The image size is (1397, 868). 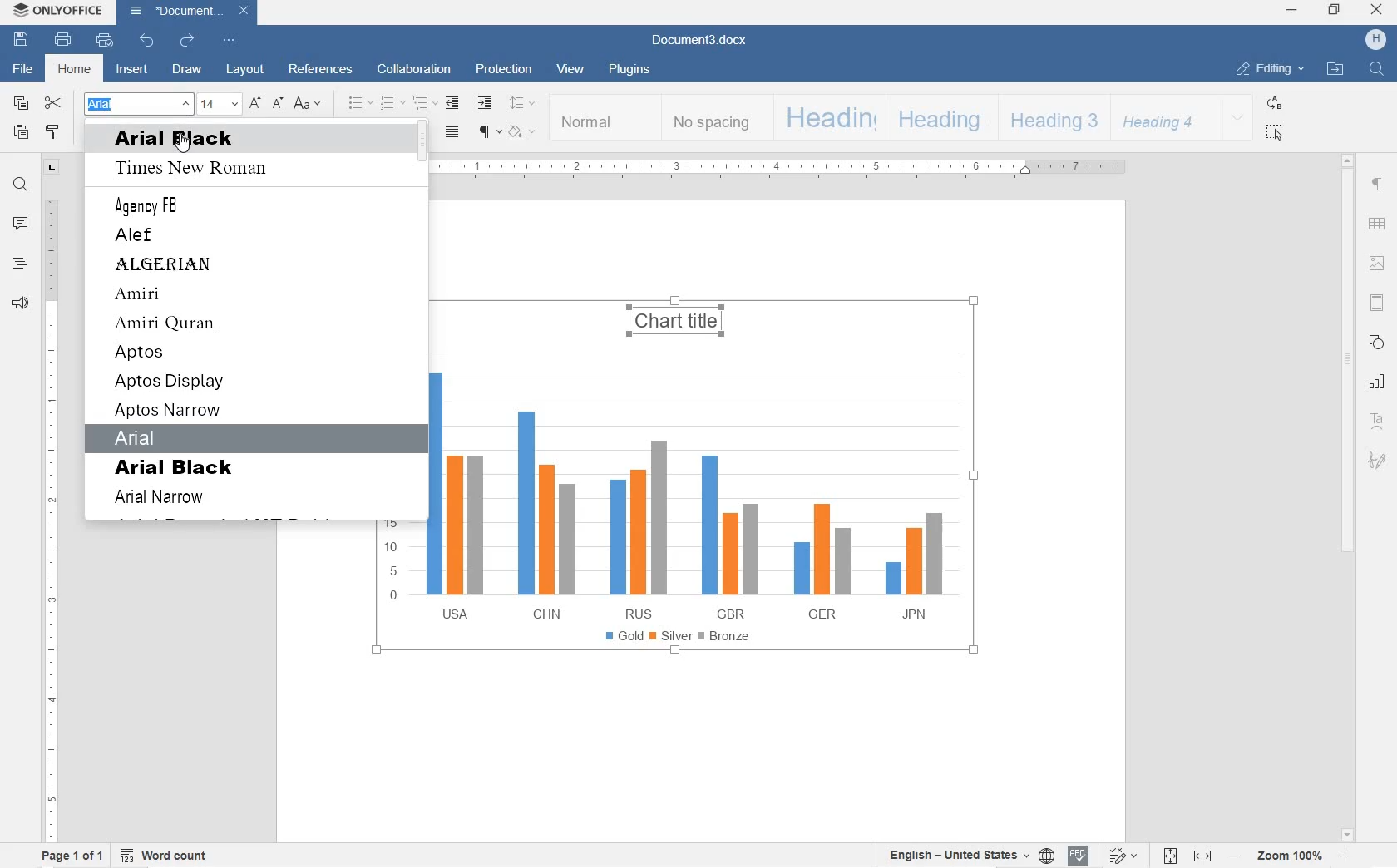 I want to click on TIMES NEW ROMAN, so click(x=200, y=169).